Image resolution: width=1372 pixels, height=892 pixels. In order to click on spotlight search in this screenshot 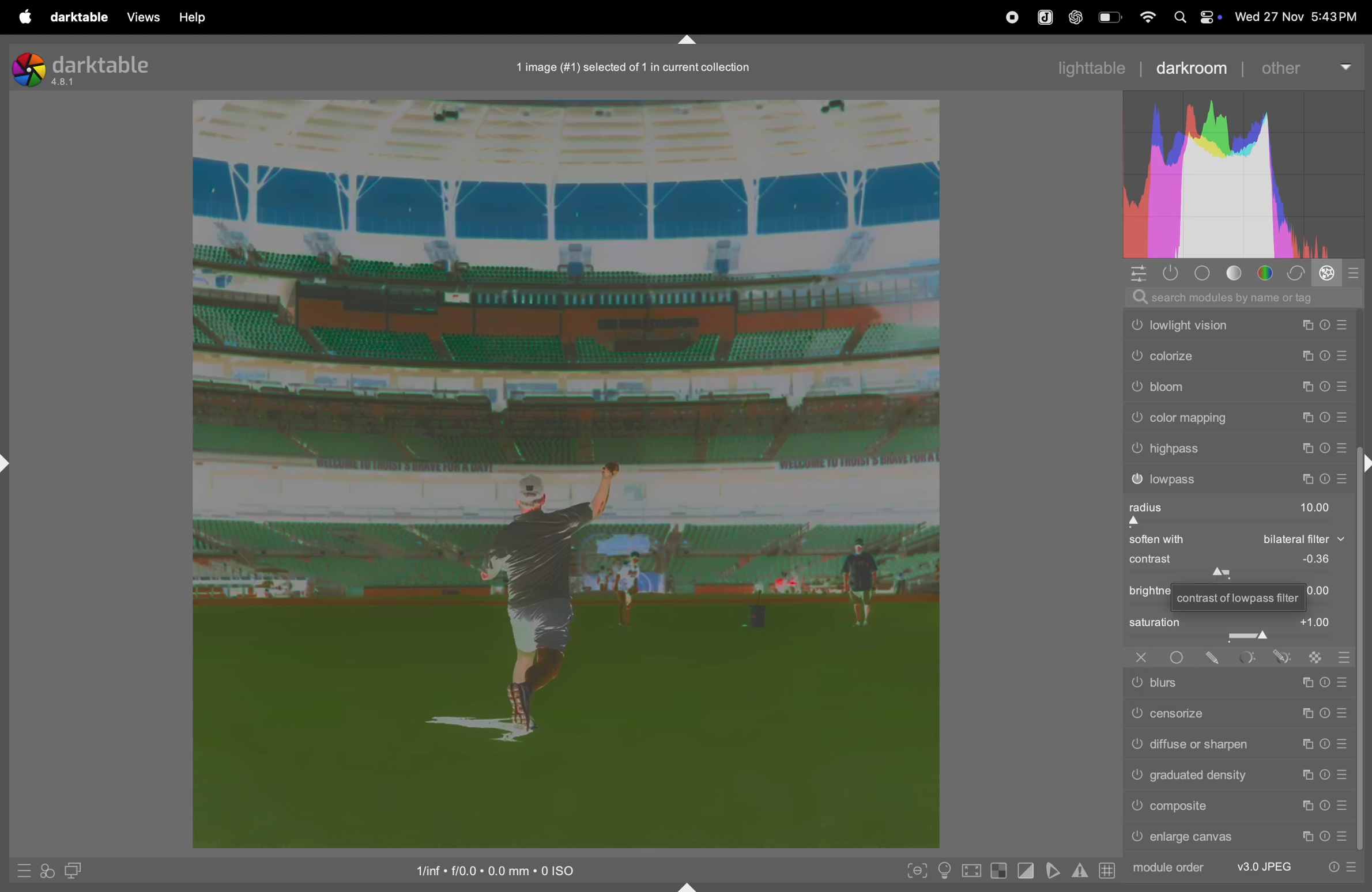, I will do `click(1176, 17)`.